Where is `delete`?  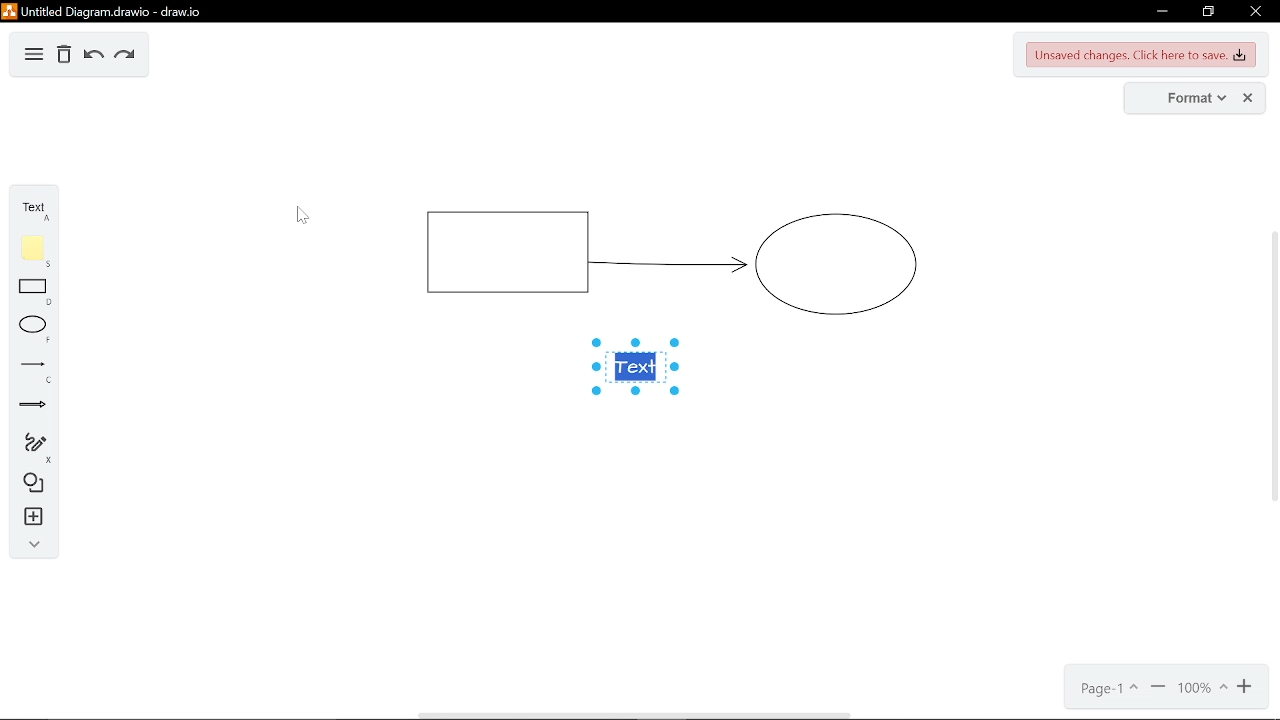
delete is located at coordinates (63, 53).